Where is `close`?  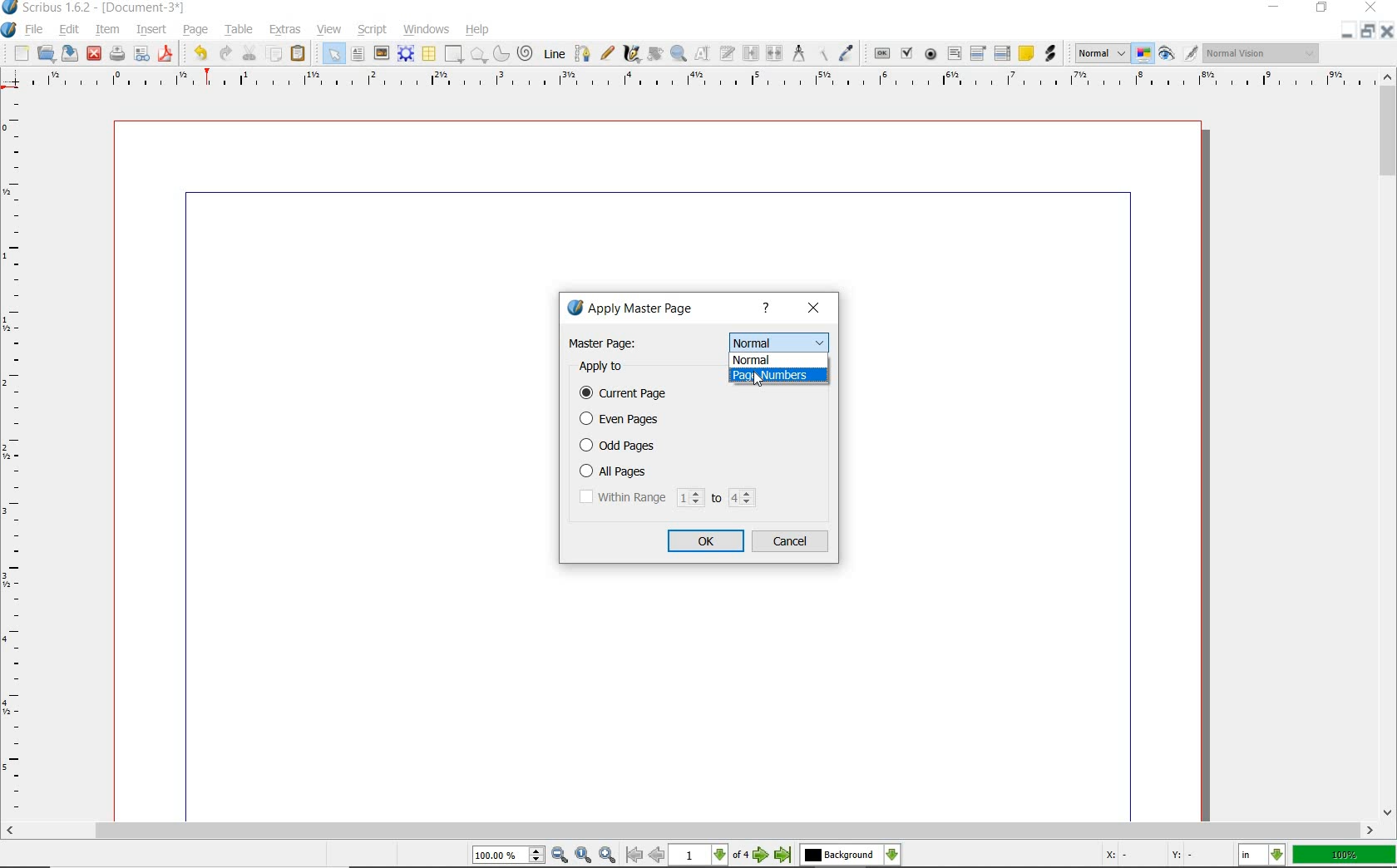 close is located at coordinates (95, 53).